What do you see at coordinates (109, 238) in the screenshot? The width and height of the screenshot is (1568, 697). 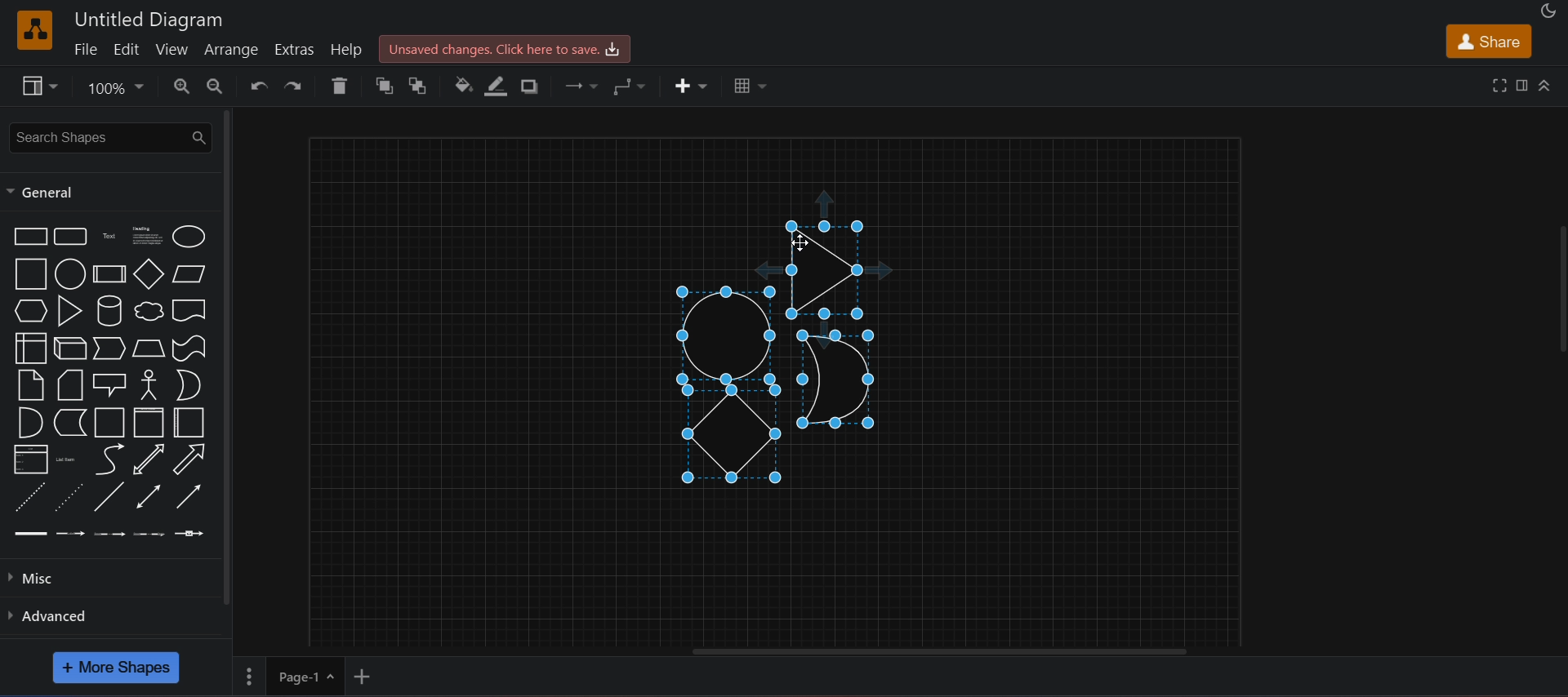 I see `text` at bounding box center [109, 238].